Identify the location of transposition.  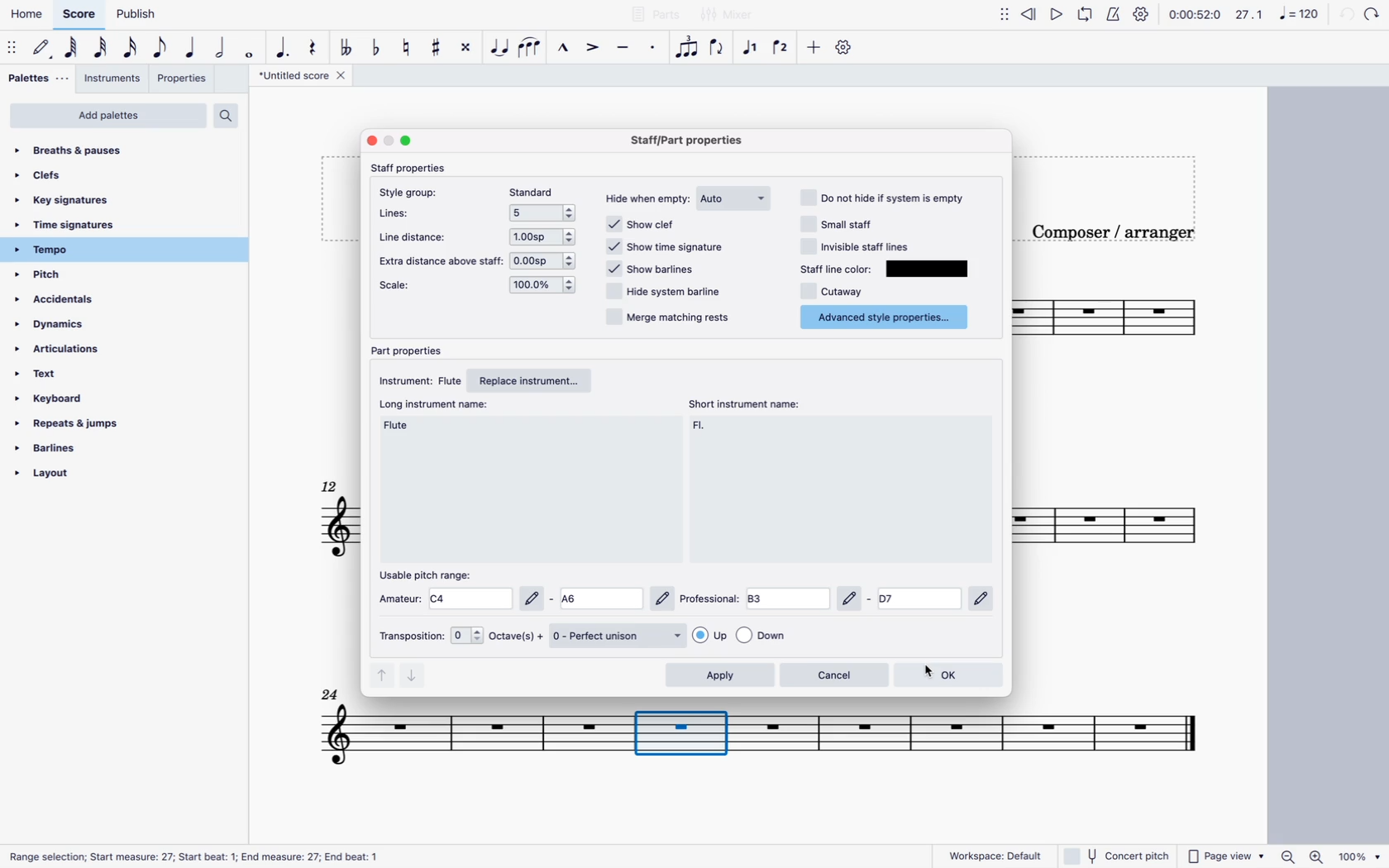
(408, 638).